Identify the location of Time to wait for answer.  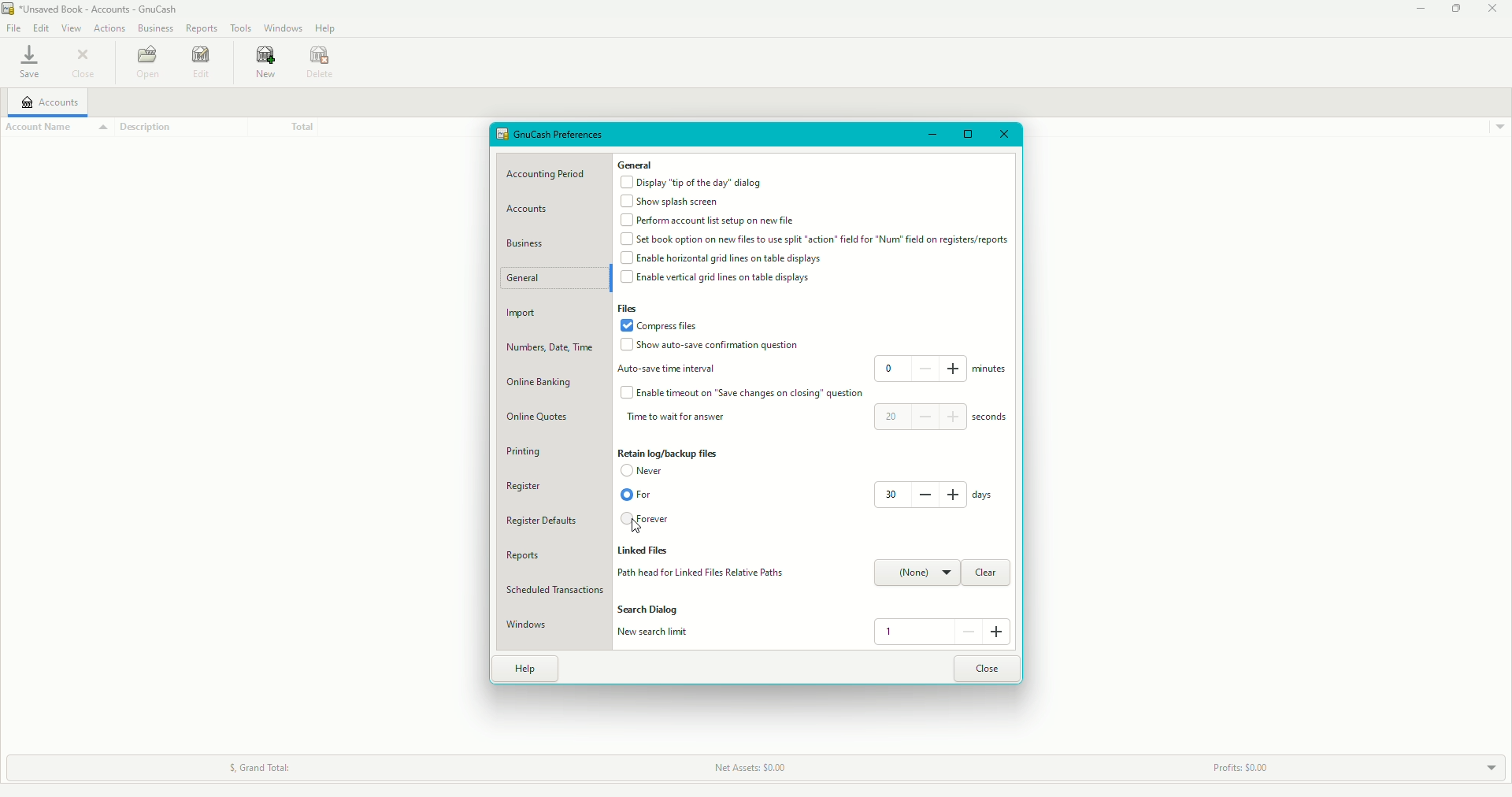
(680, 418).